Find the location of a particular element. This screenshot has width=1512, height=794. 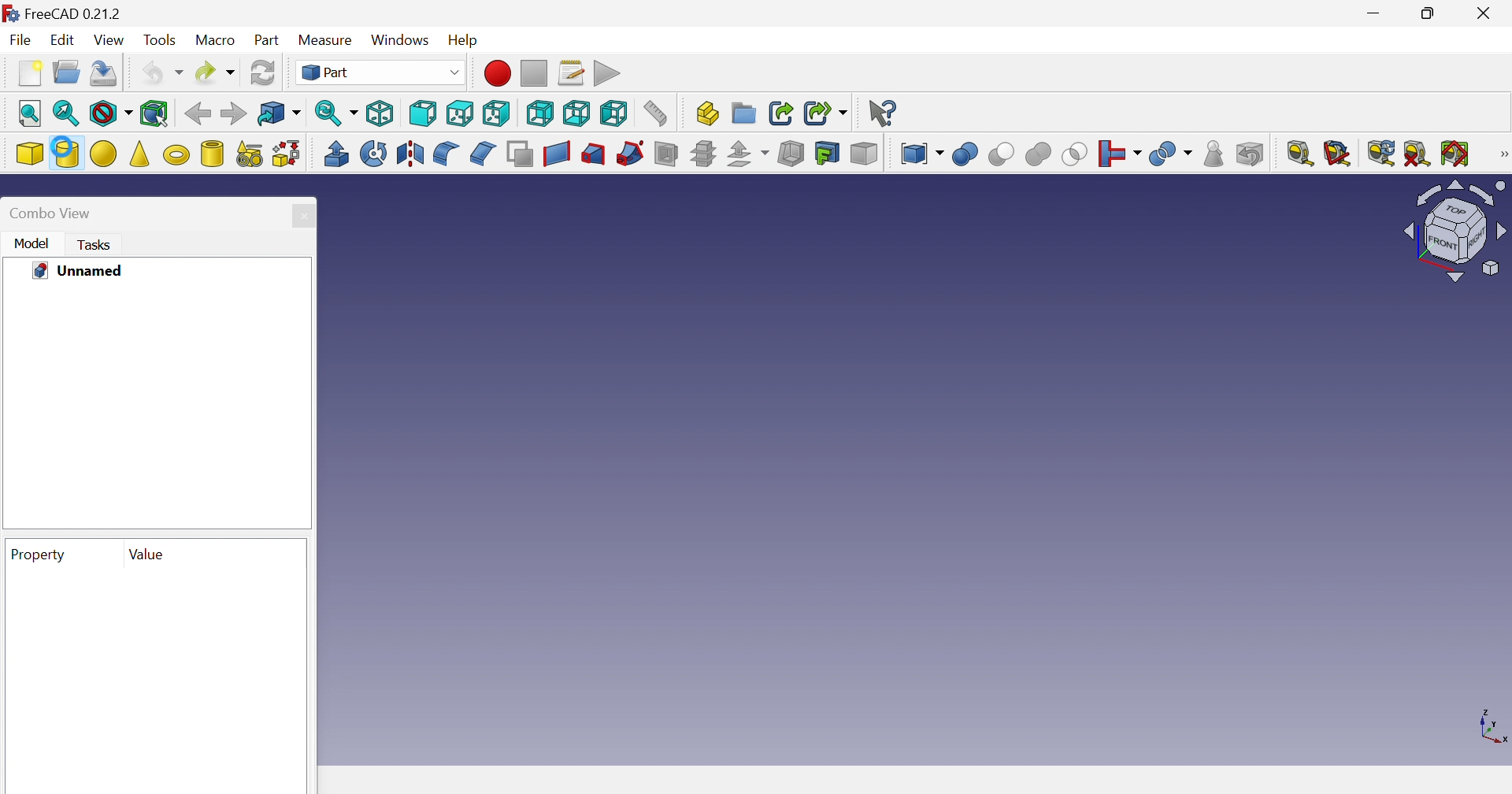

Close is located at coordinates (1487, 11).